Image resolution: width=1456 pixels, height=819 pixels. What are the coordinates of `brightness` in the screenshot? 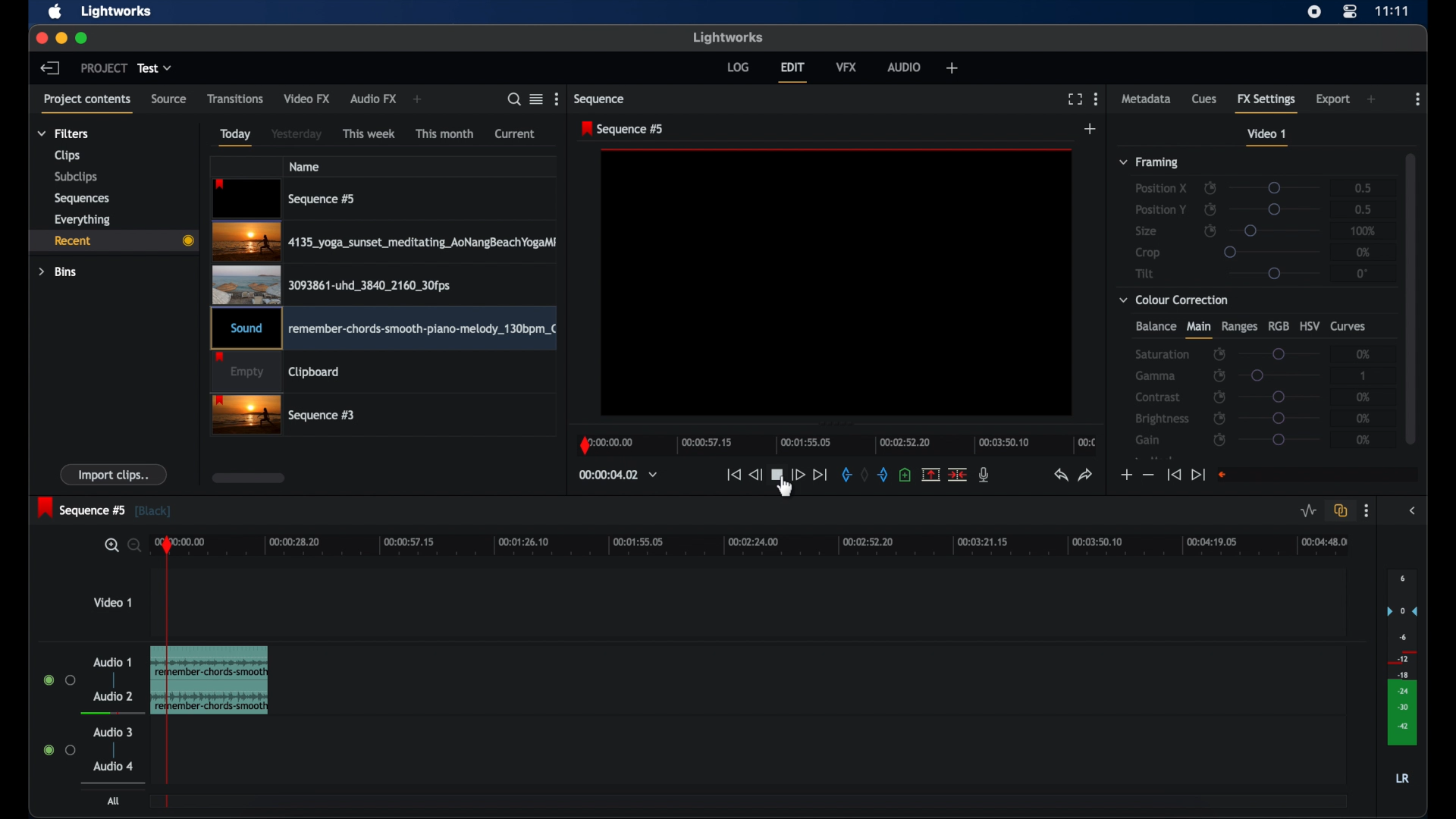 It's located at (1163, 419).